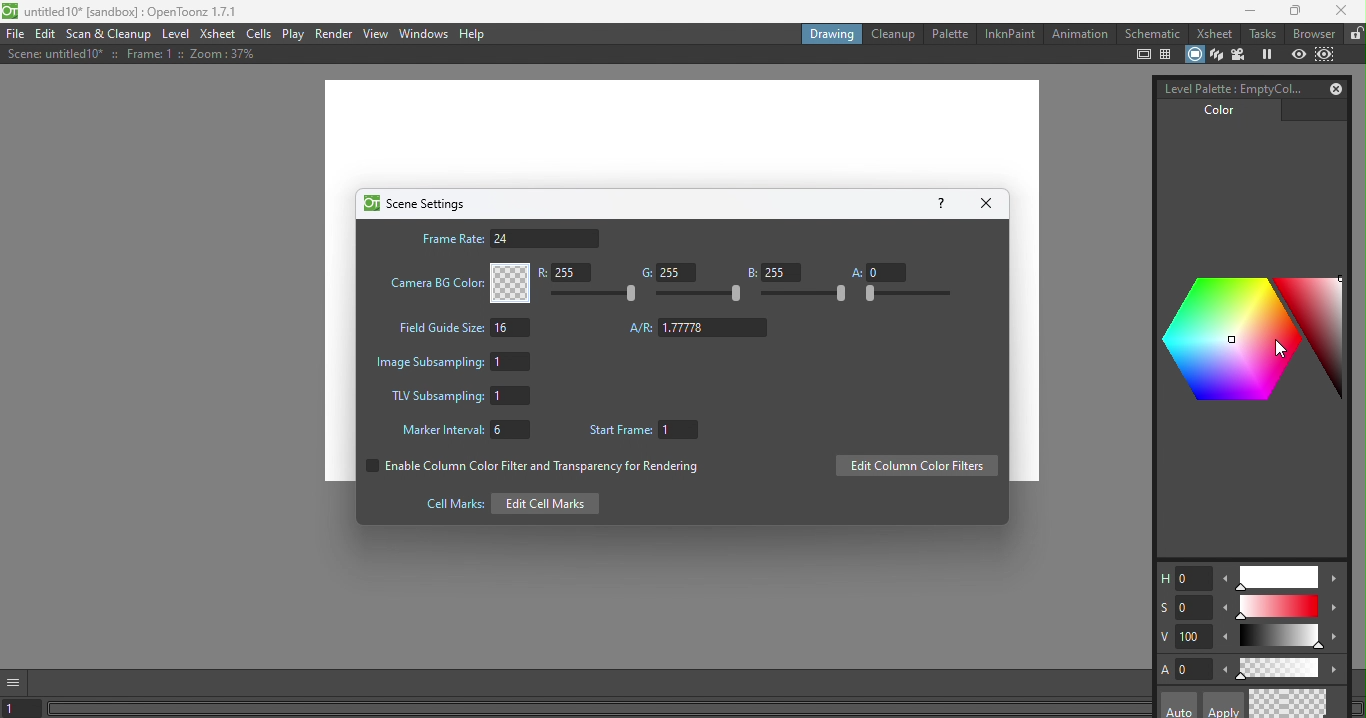 This screenshot has height=718, width=1366. I want to click on Horizontal scroll bar, so click(600, 710).